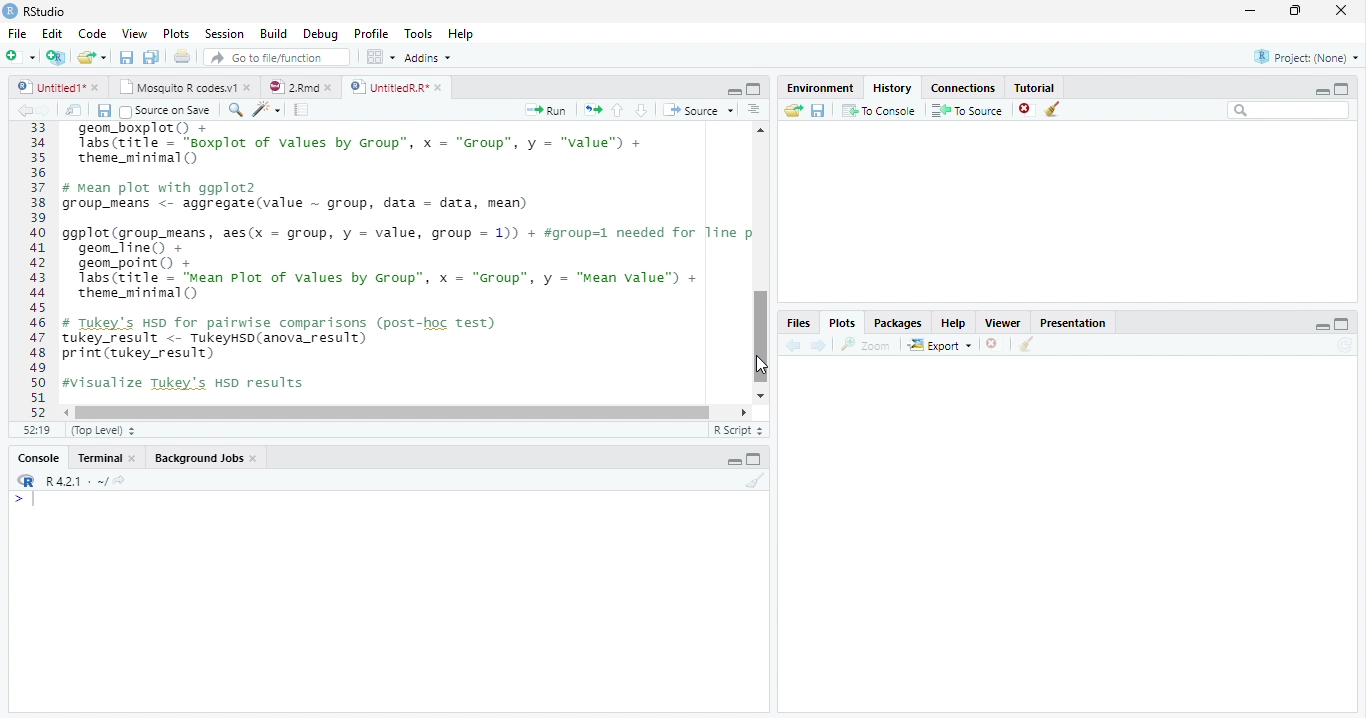 The width and height of the screenshot is (1366, 718). What do you see at coordinates (1005, 322) in the screenshot?
I see `Viewer` at bounding box center [1005, 322].